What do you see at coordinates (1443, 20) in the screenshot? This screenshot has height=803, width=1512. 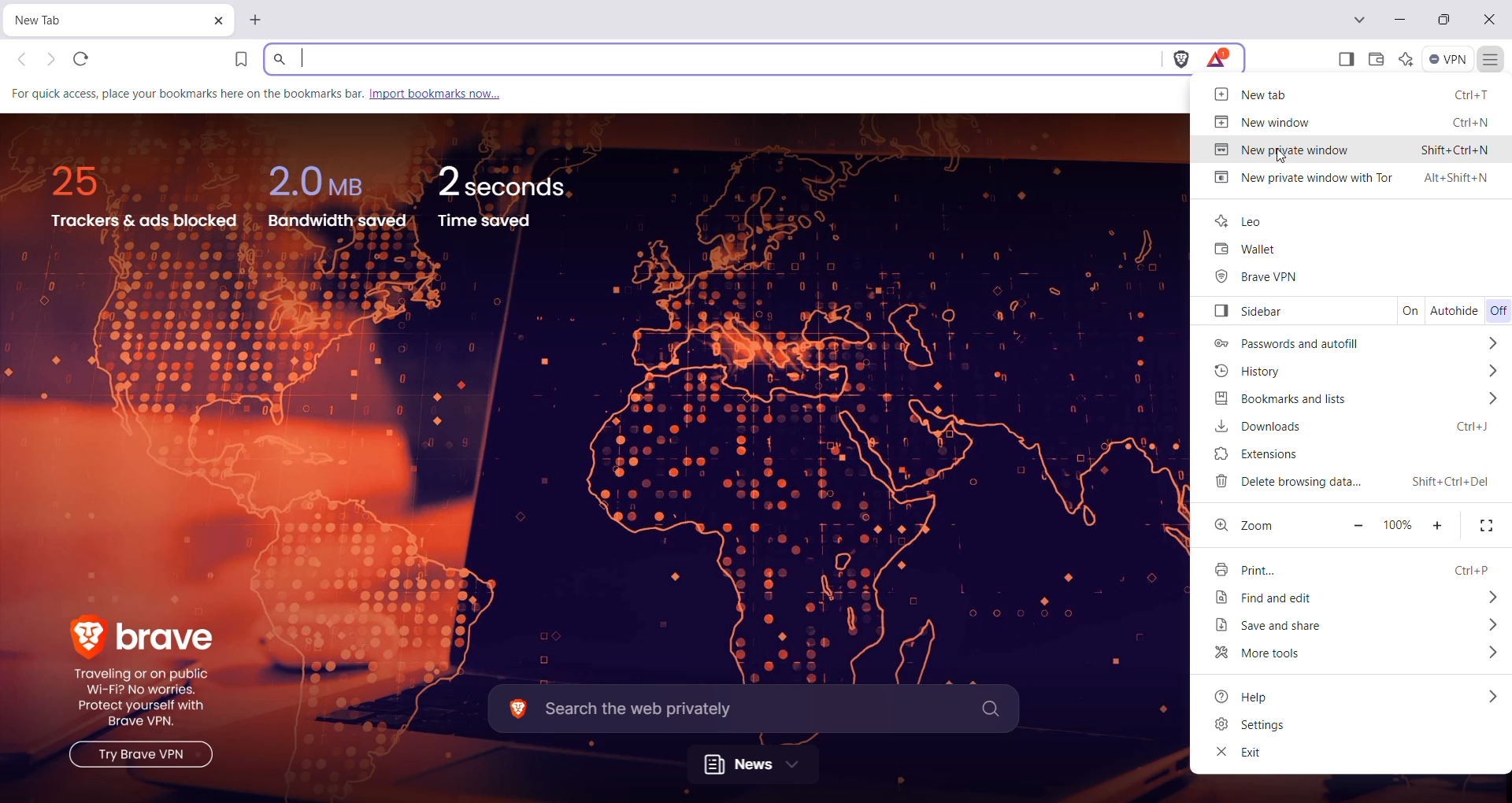 I see `Restore Down` at bounding box center [1443, 20].